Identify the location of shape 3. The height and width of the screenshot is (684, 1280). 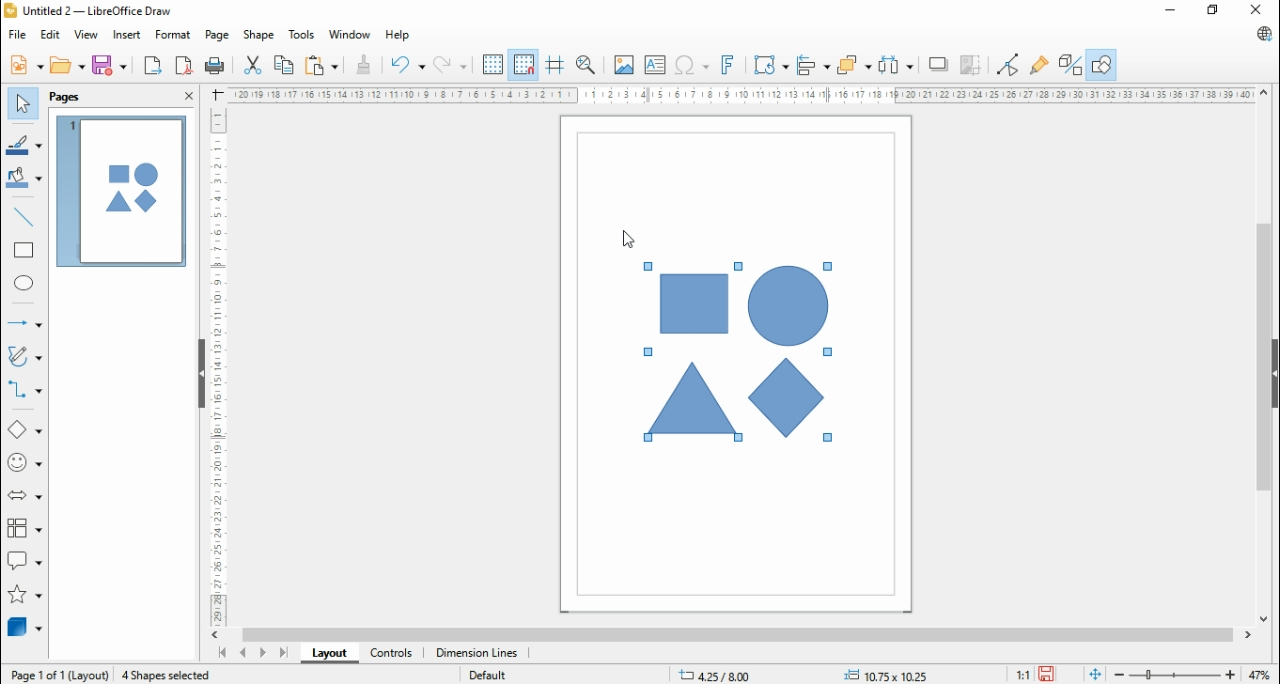
(787, 307).